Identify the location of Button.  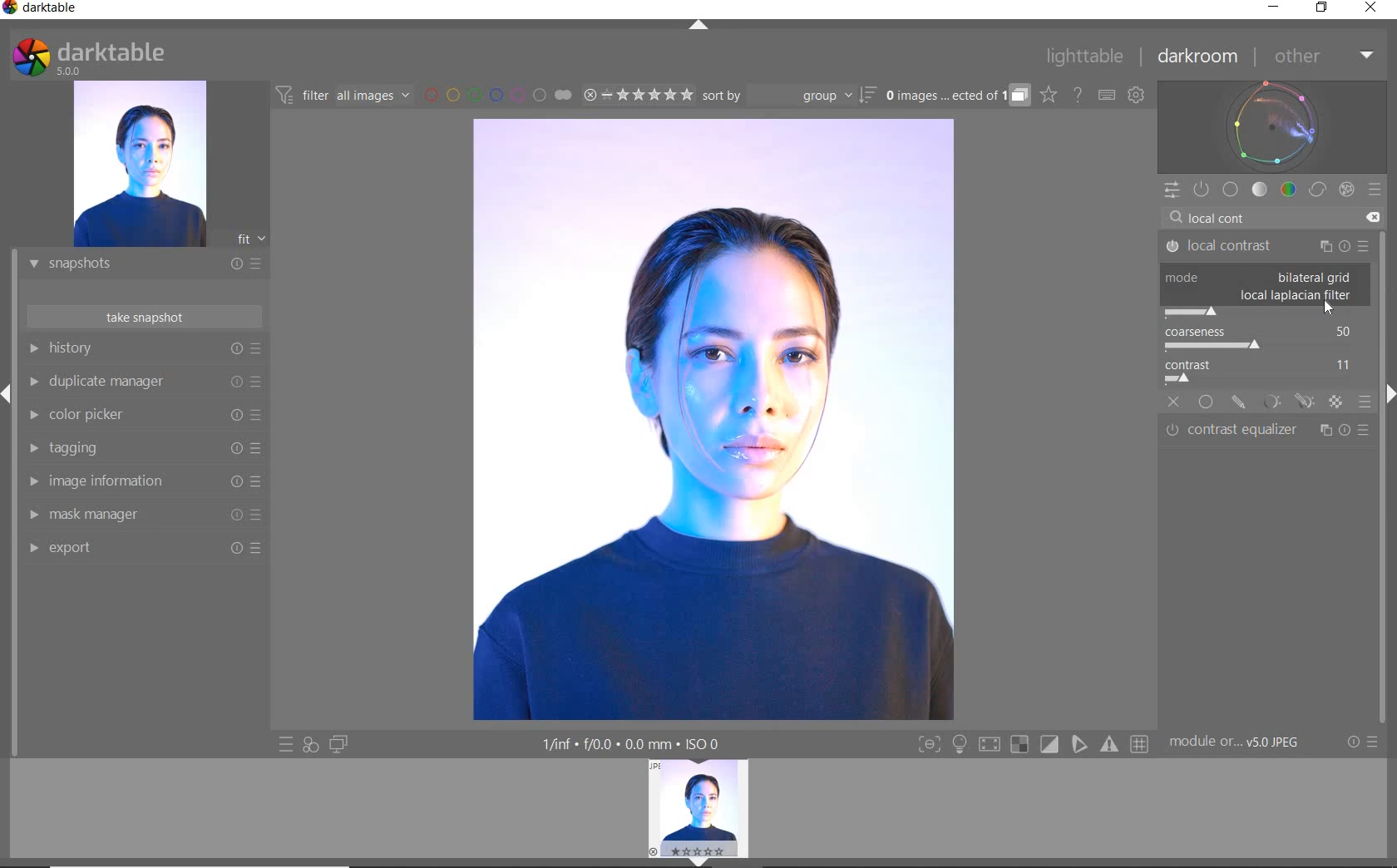
(1141, 745).